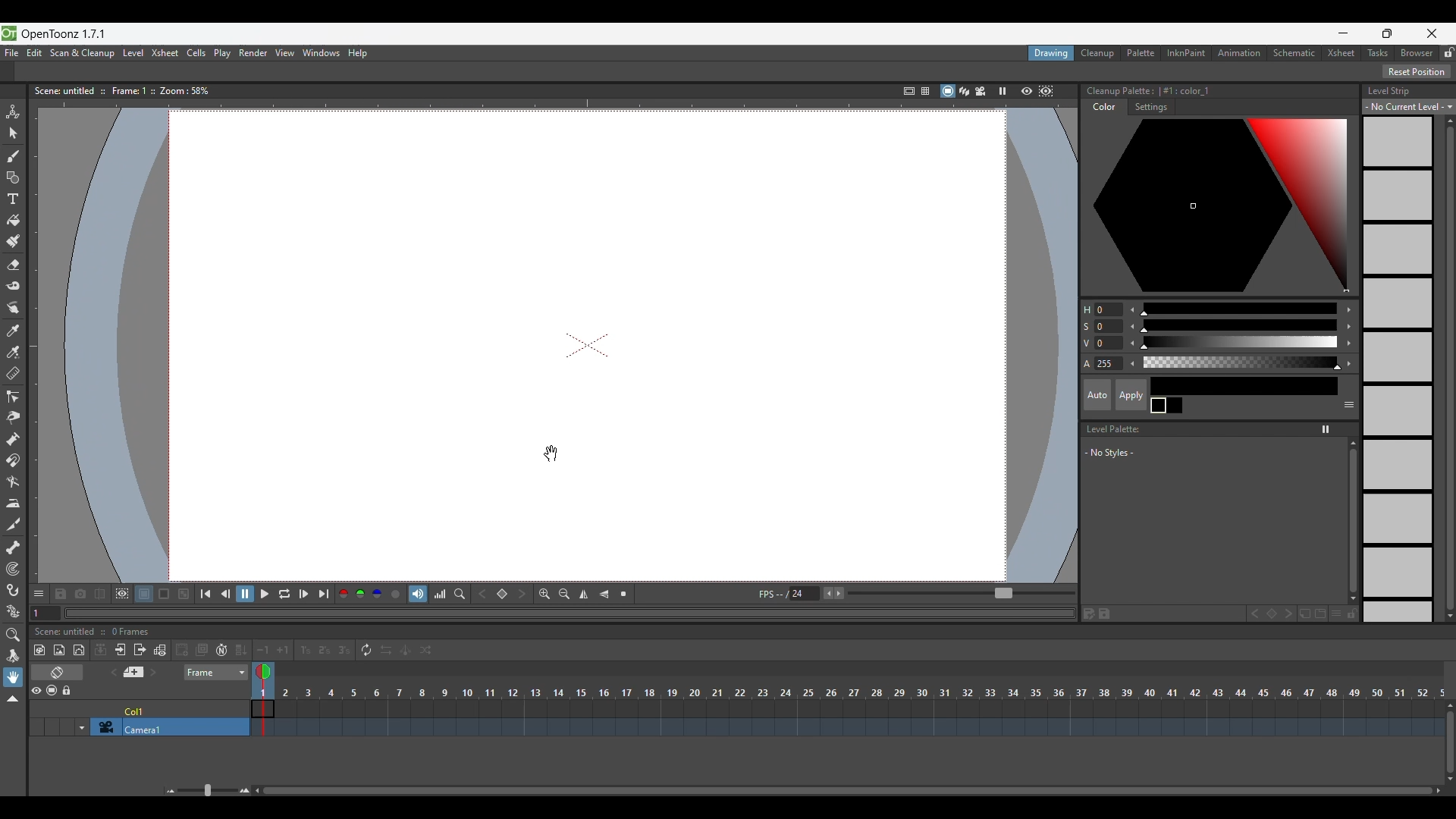  I want to click on , so click(1343, 33).